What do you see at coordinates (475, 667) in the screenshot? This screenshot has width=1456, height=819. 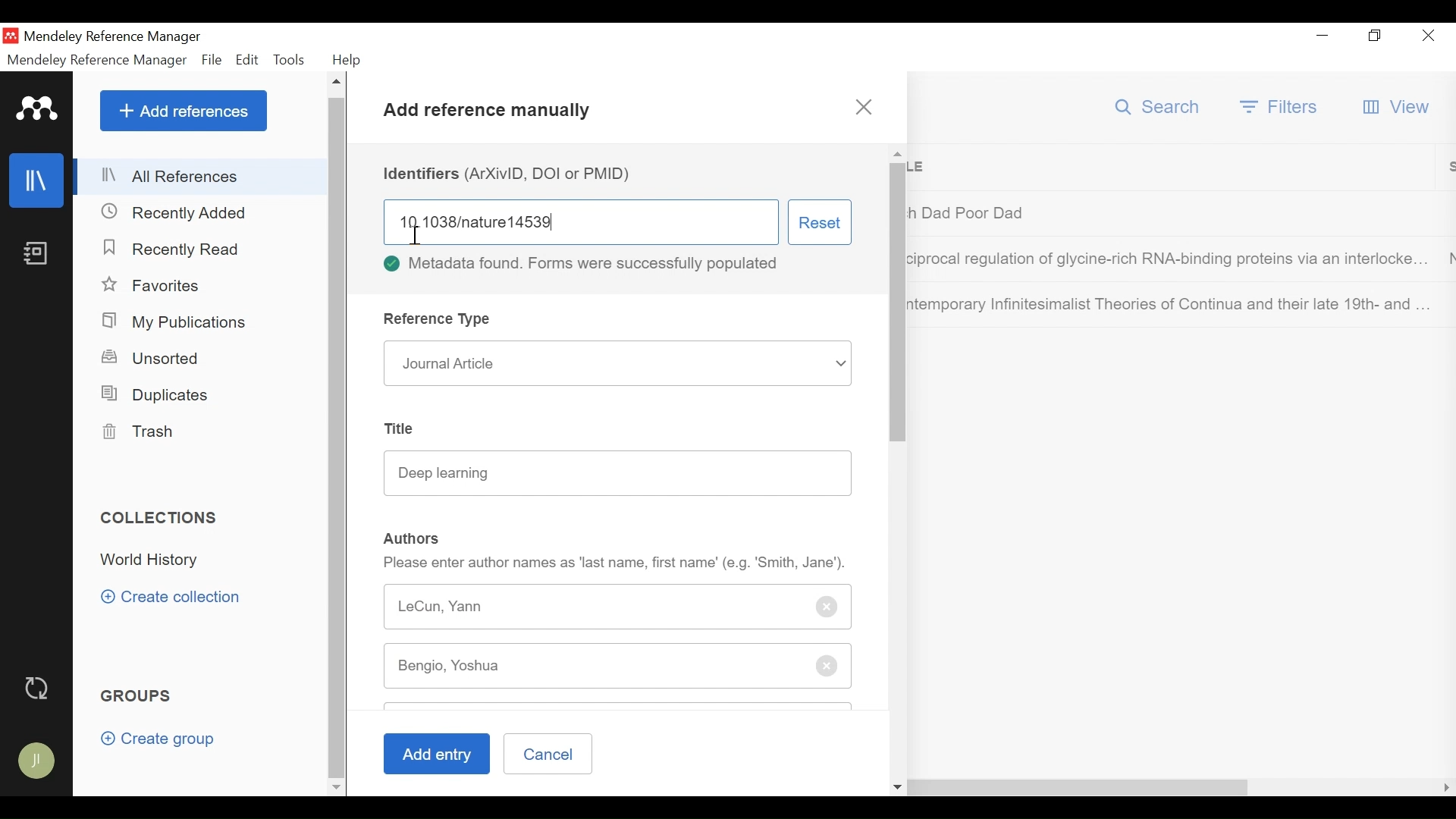 I see `Bengio, Yoshua` at bounding box center [475, 667].